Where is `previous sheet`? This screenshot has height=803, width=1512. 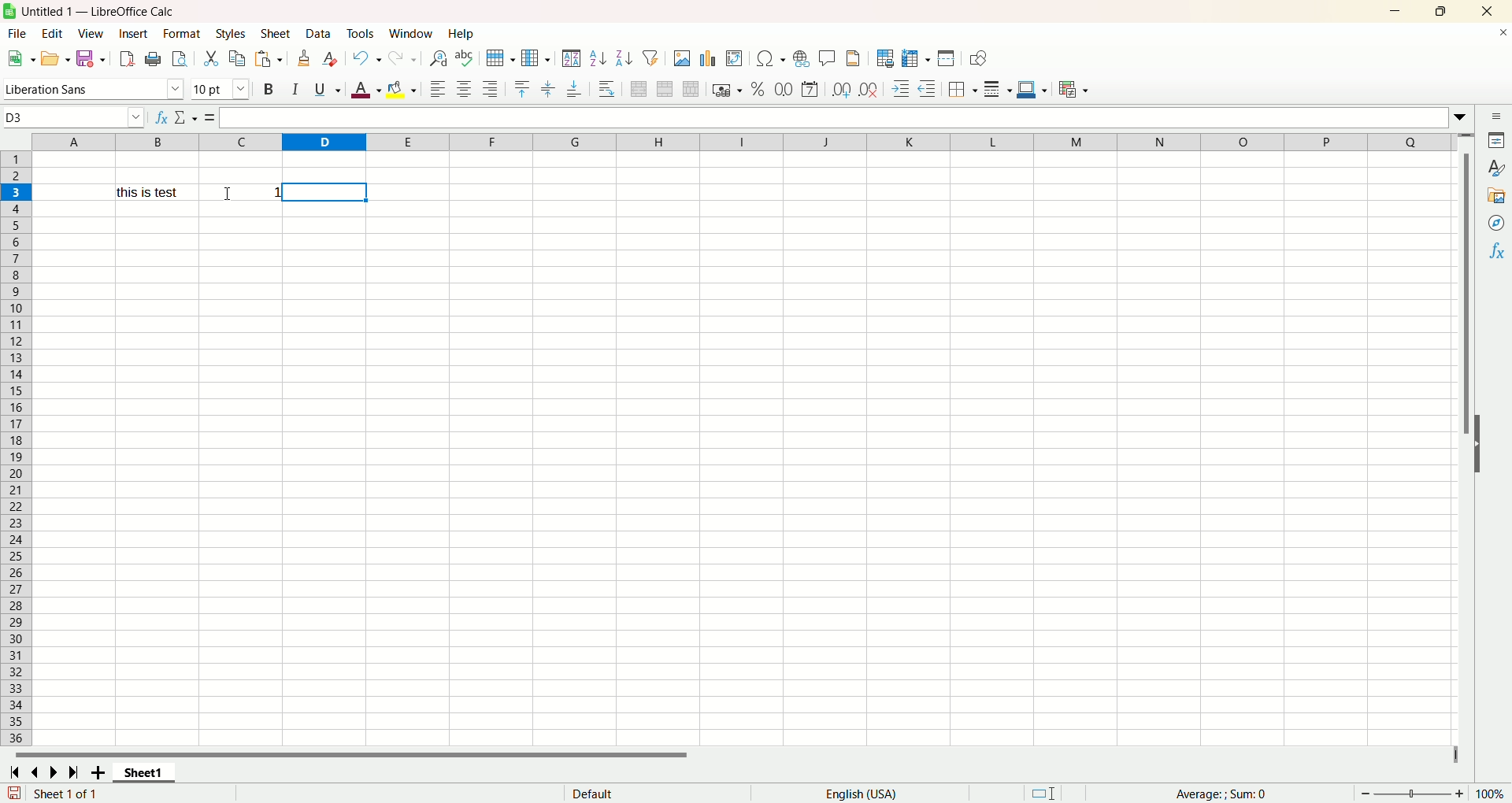
previous sheet is located at coordinates (39, 772).